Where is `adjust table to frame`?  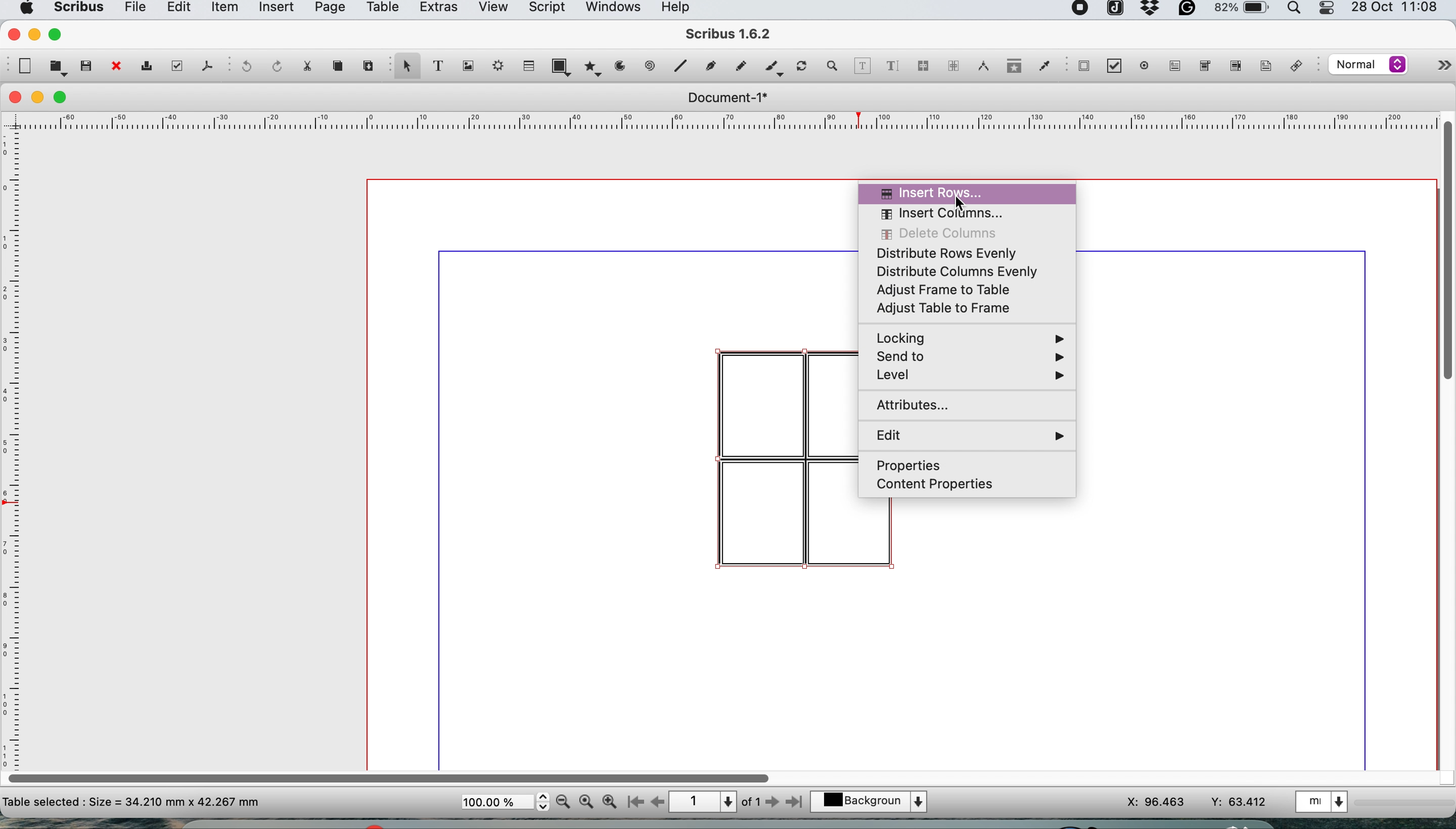
adjust table to frame is located at coordinates (950, 310).